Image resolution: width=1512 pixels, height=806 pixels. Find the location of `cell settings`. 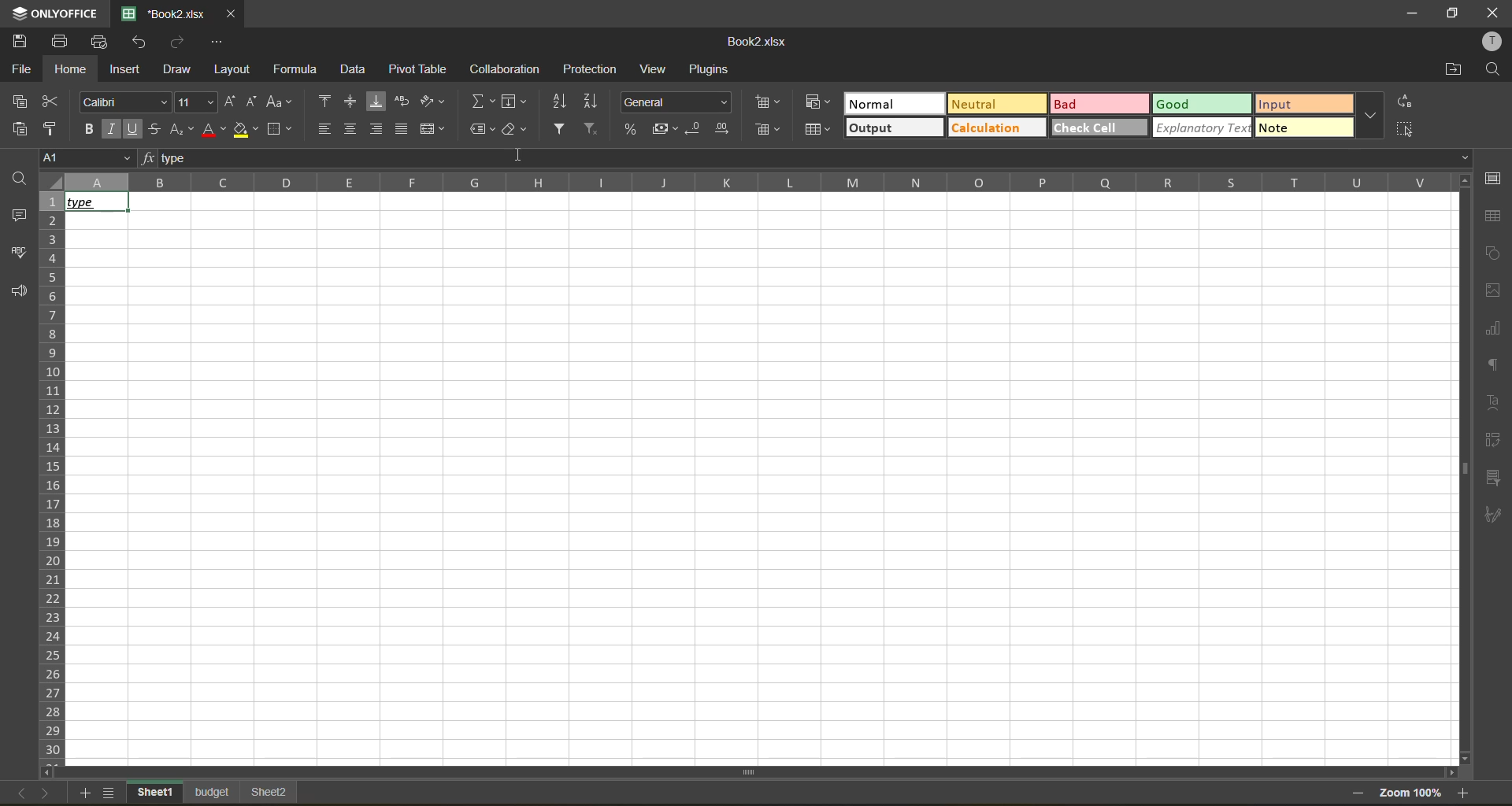

cell settings is located at coordinates (1492, 177).